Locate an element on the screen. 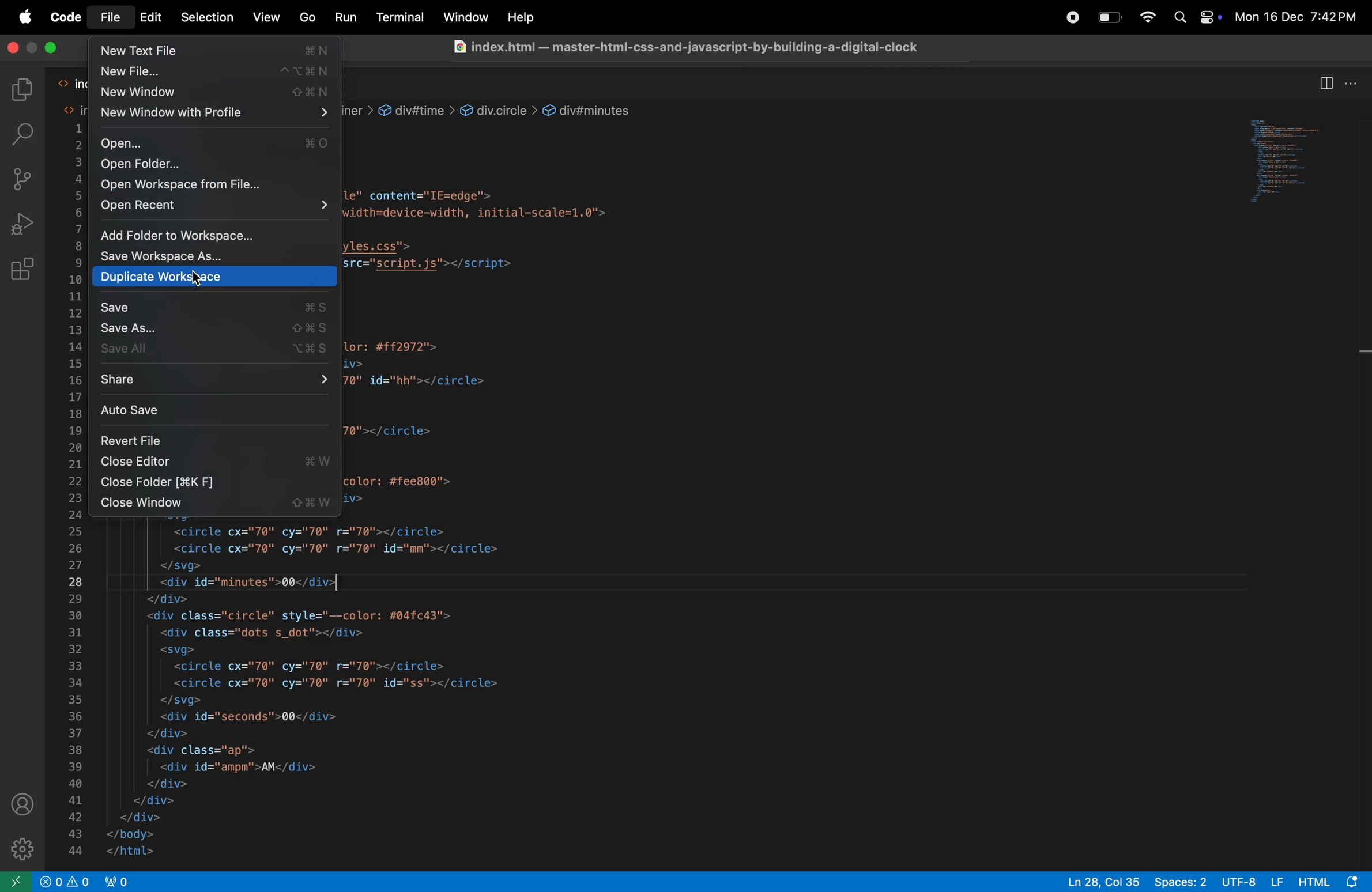 This screenshot has width=1372, height=892. save is located at coordinates (214, 308).